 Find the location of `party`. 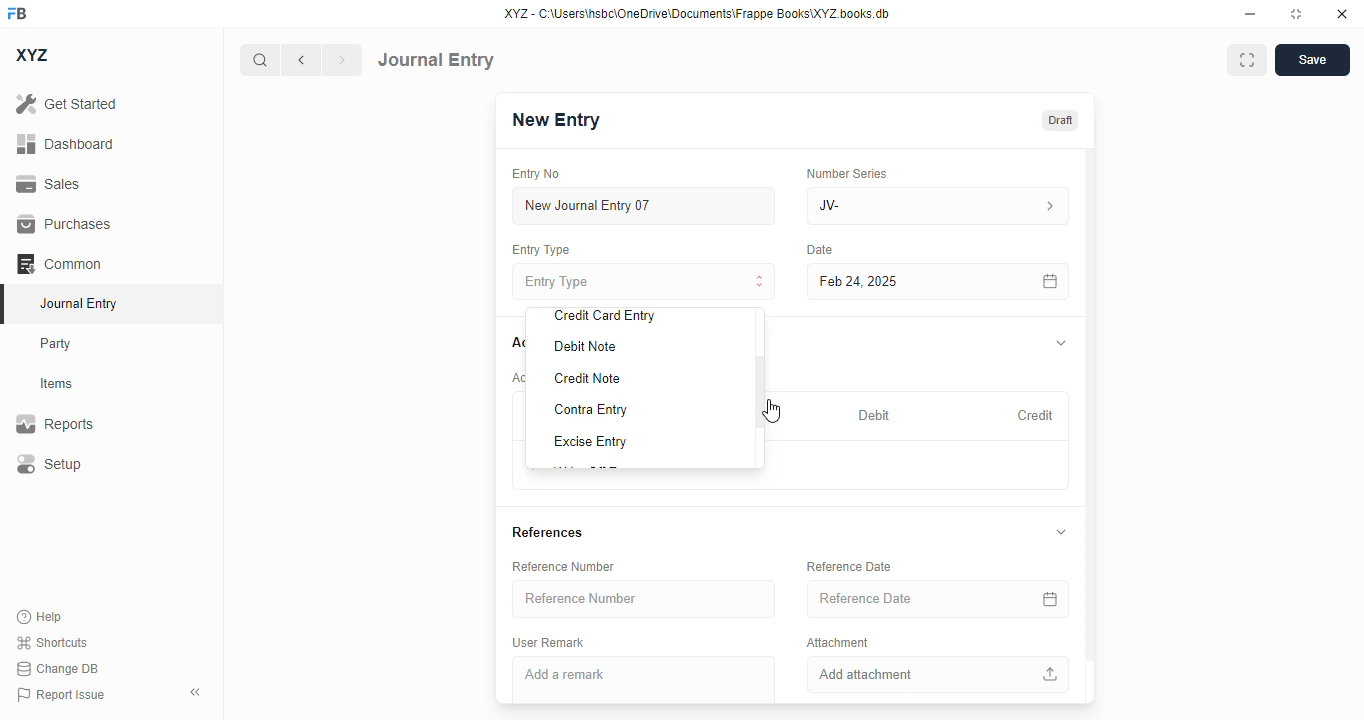

party is located at coordinates (58, 344).